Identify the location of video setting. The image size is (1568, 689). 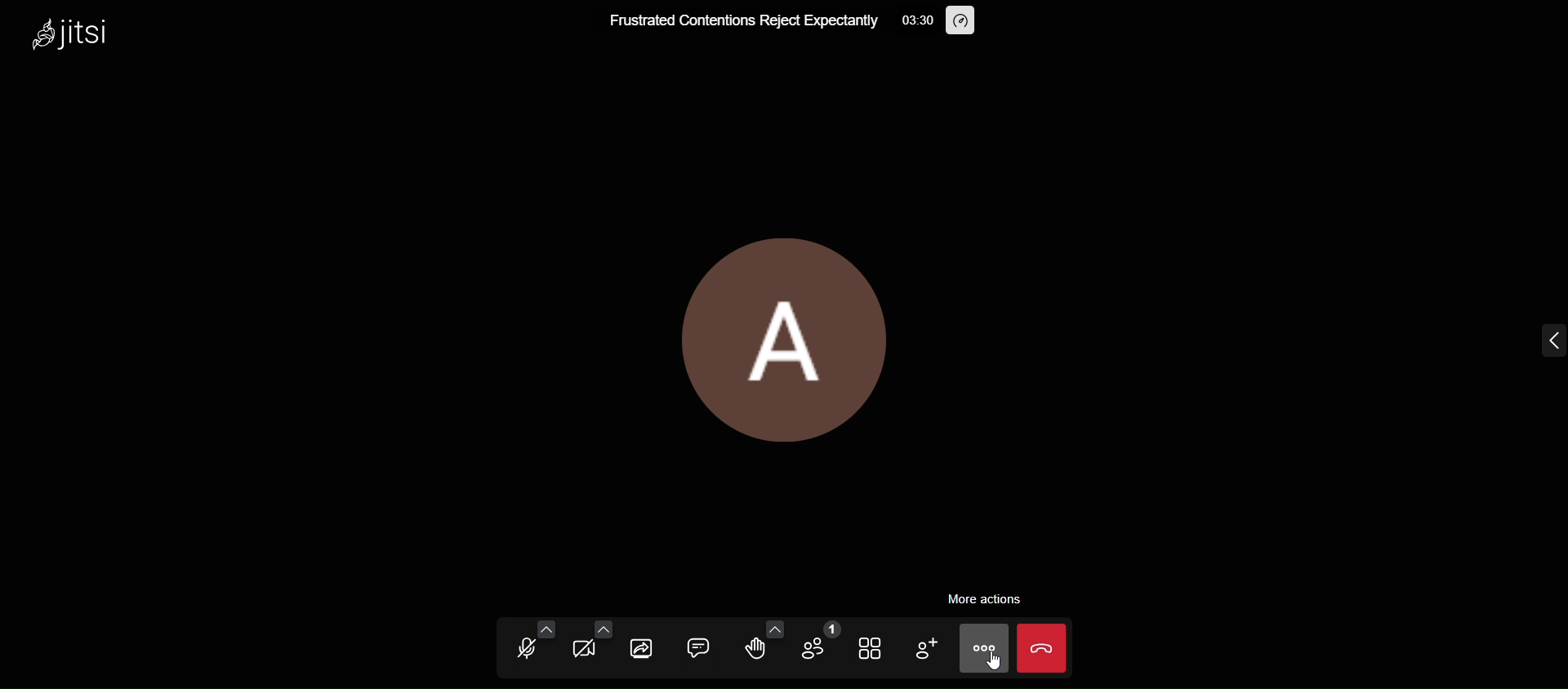
(603, 620).